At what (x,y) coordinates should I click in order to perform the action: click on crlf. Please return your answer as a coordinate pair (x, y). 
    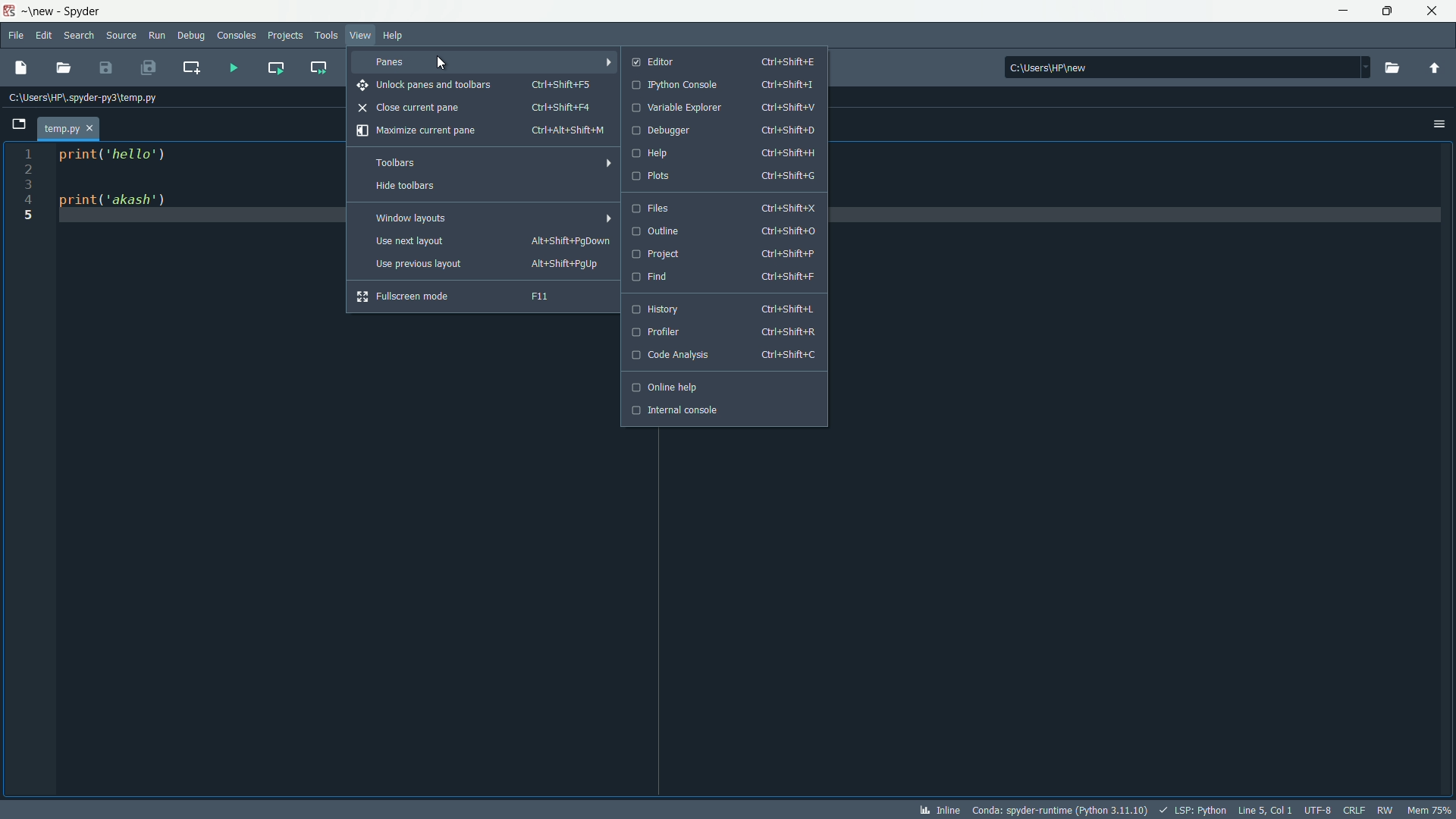
    Looking at the image, I should click on (1355, 810).